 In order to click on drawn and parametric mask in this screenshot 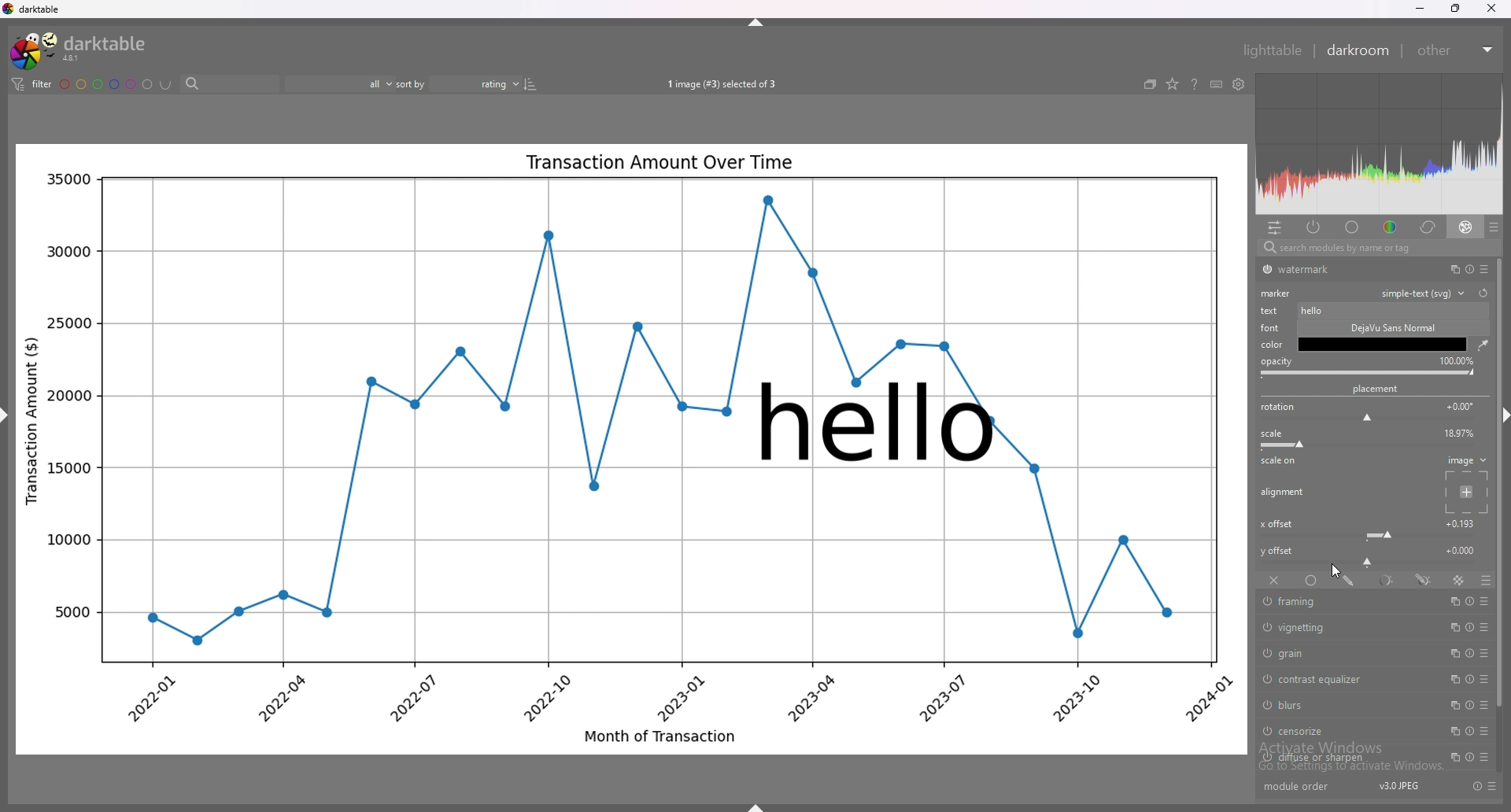, I will do `click(1425, 580)`.